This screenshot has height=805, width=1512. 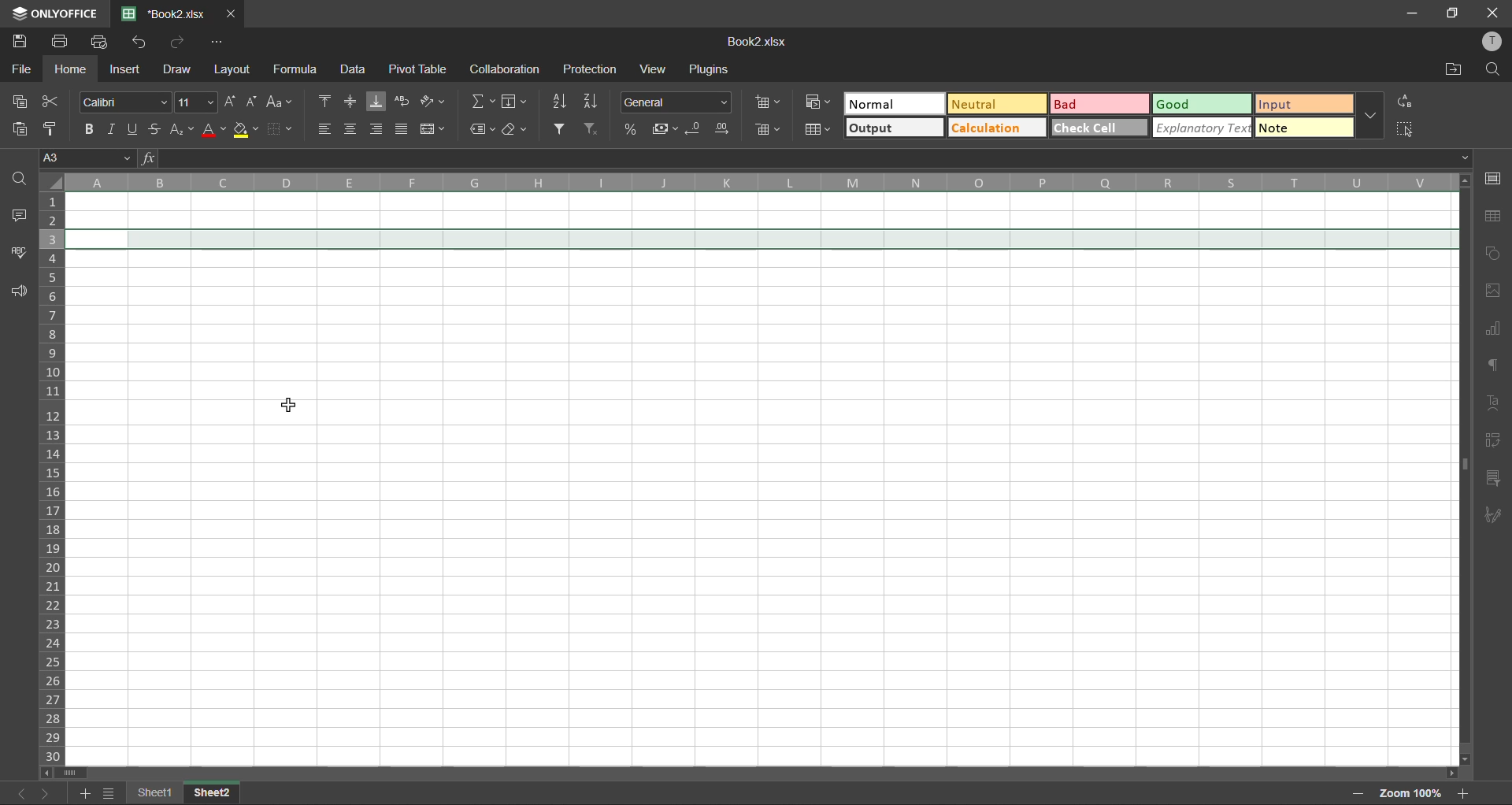 I want to click on neutral, so click(x=1001, y=103).